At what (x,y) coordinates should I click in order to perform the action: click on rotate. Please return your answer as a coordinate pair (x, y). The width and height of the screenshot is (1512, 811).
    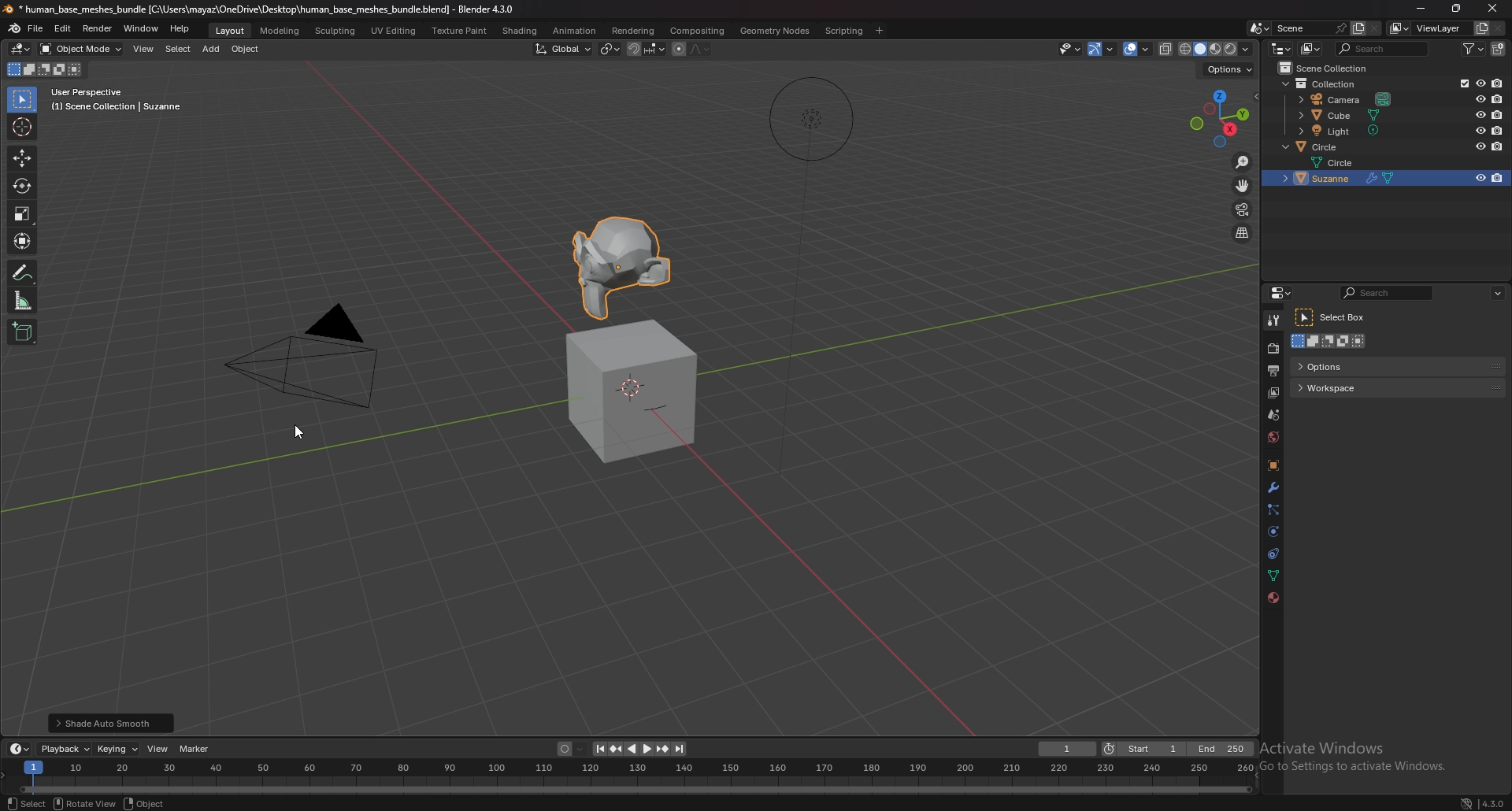
    Looking at the image, I should click on (82, 804).